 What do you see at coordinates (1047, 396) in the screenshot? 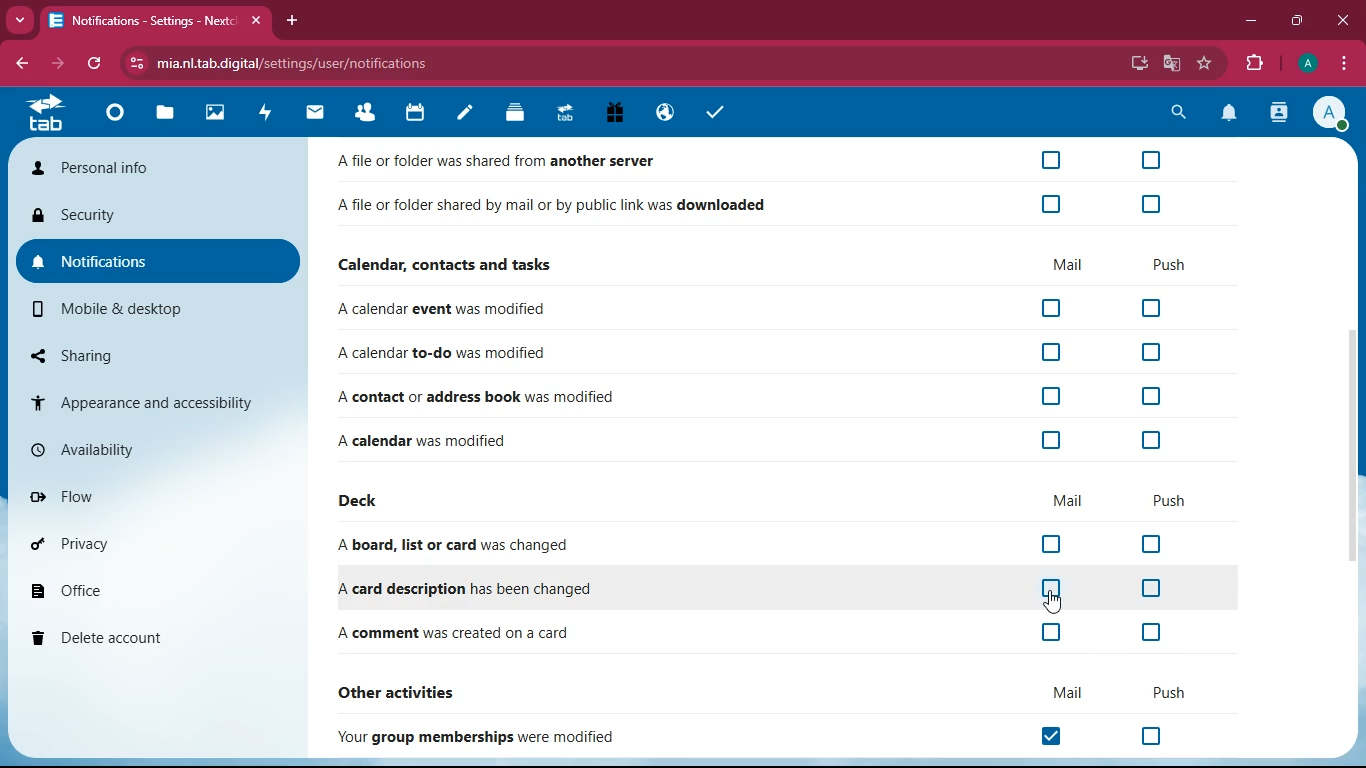
I see `off` at bounding box center [1047, 396].